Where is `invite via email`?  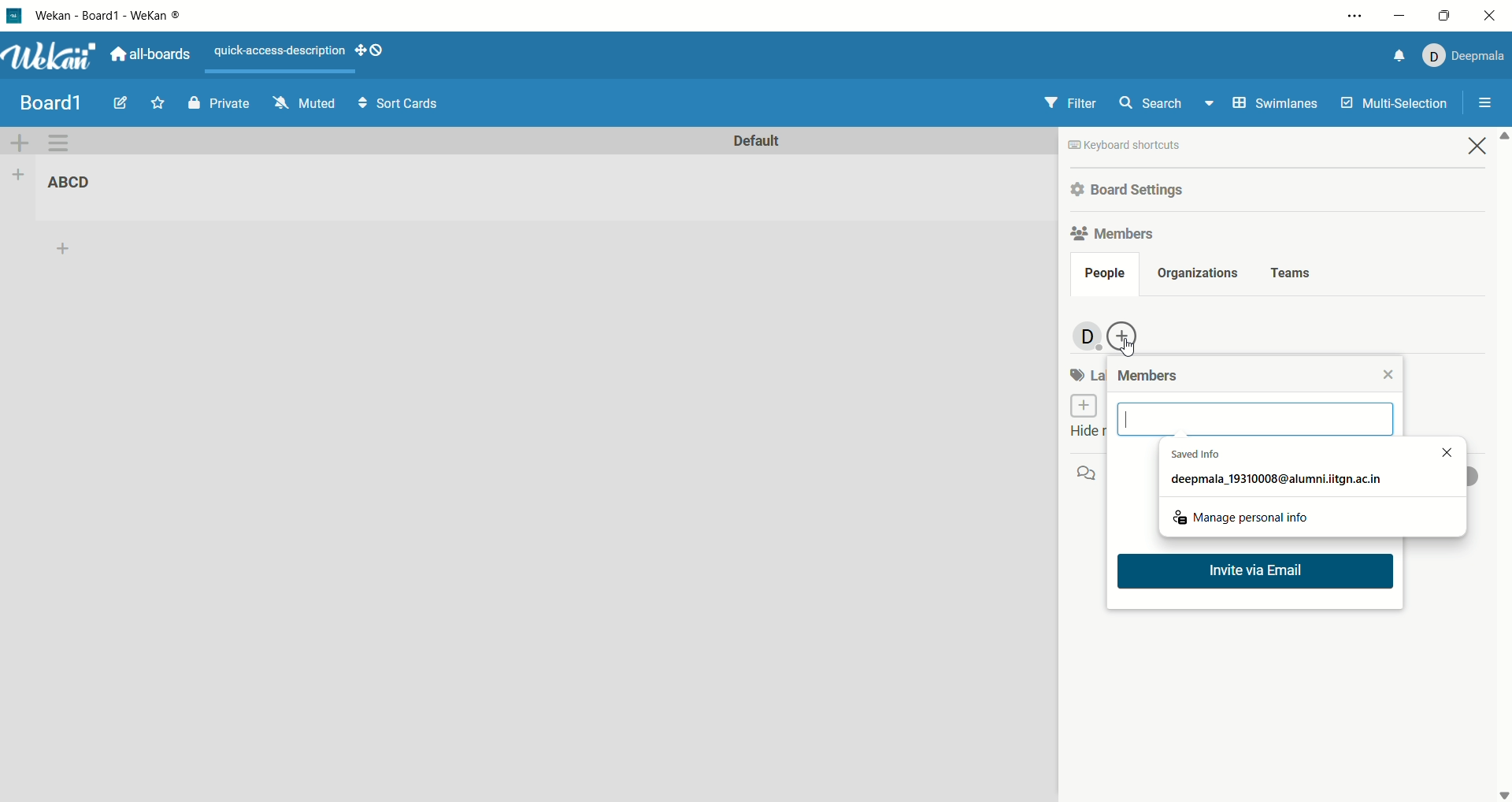
invite via email is located at coordinates (1260, 575).